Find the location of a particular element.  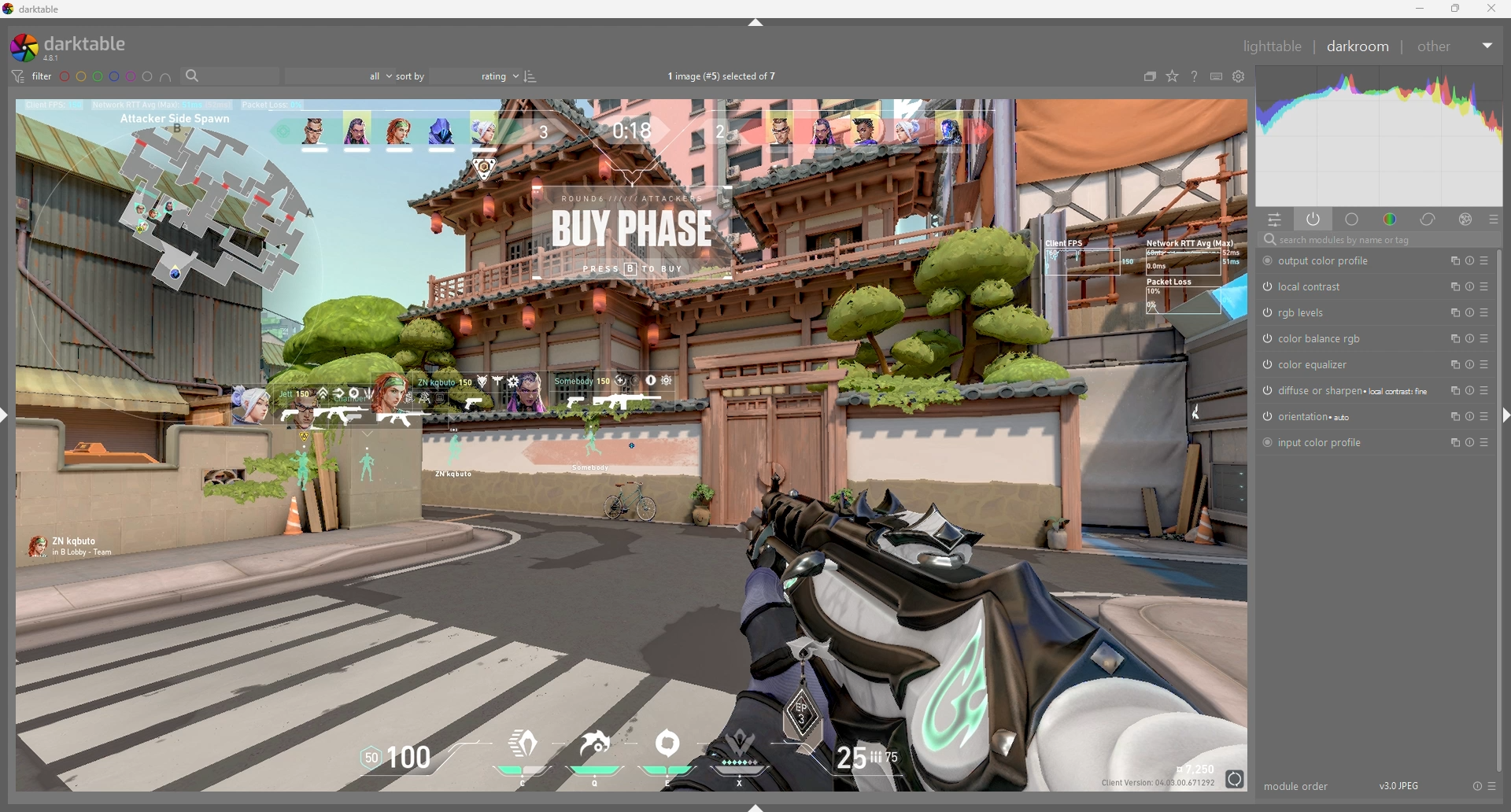

minimize is located at coordinates (1417, 9).